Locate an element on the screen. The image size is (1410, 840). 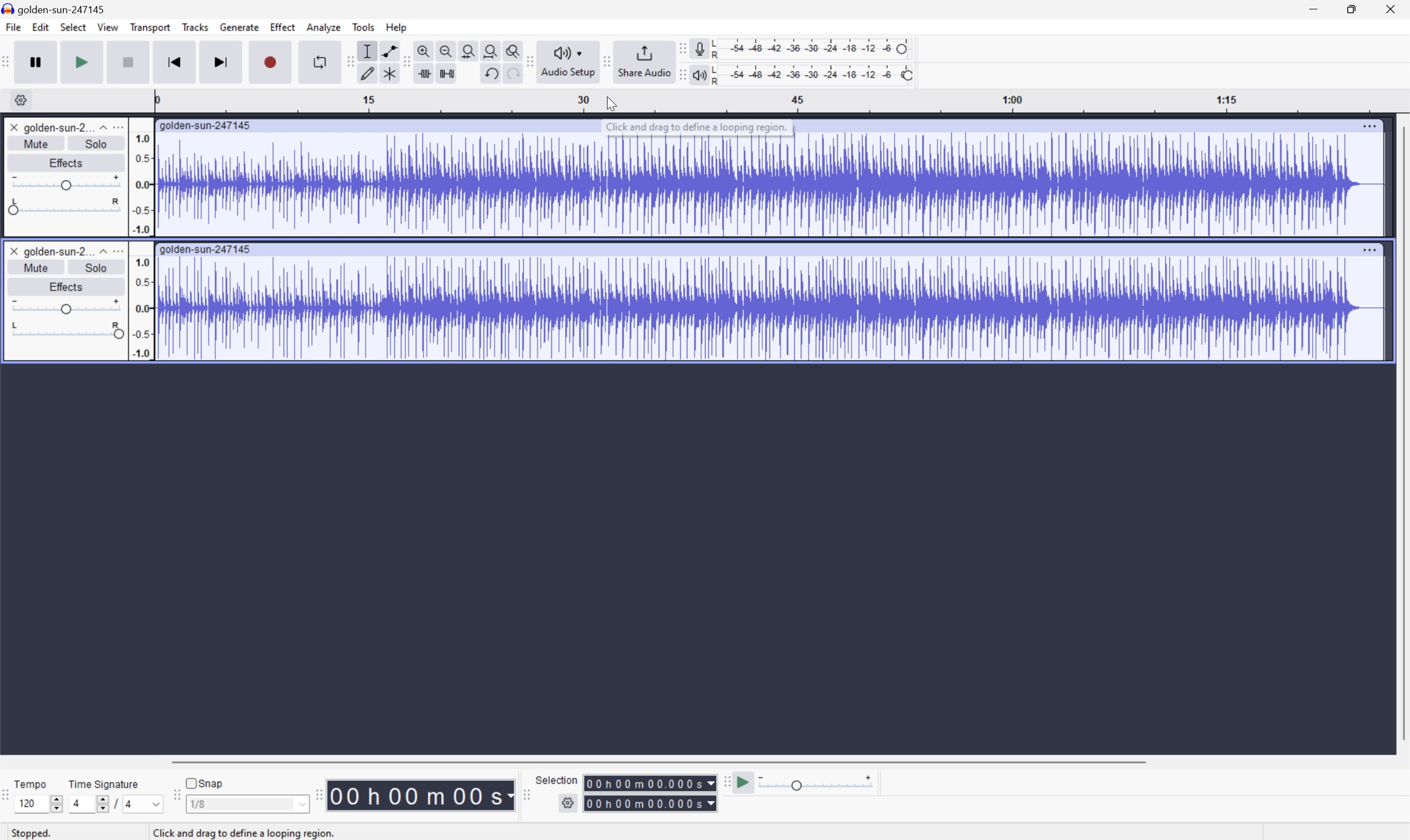
Audacity Share audio toolbar is located at coordinates (604, 59).